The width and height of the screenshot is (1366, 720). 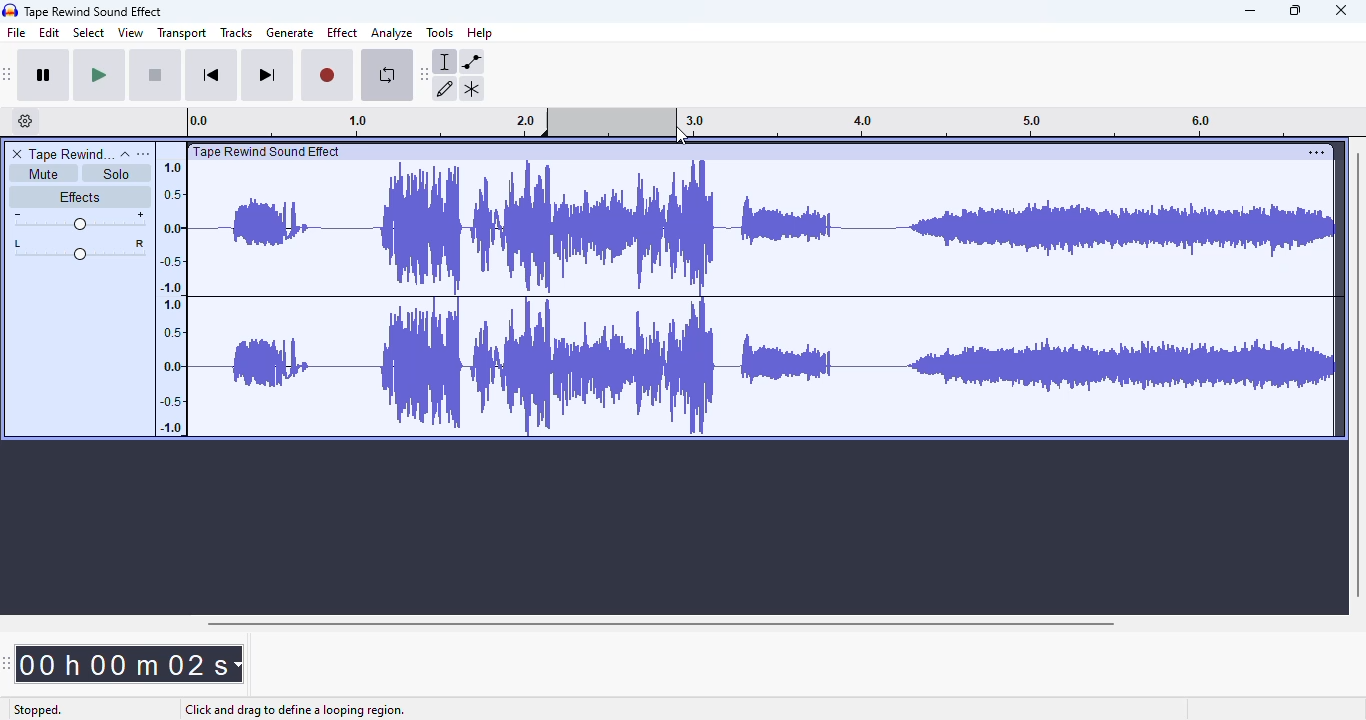 What do you see at coordinates (657, 623) in the screenshot?
I see `horizontal scroll bar` at bounding box center [657, 623].